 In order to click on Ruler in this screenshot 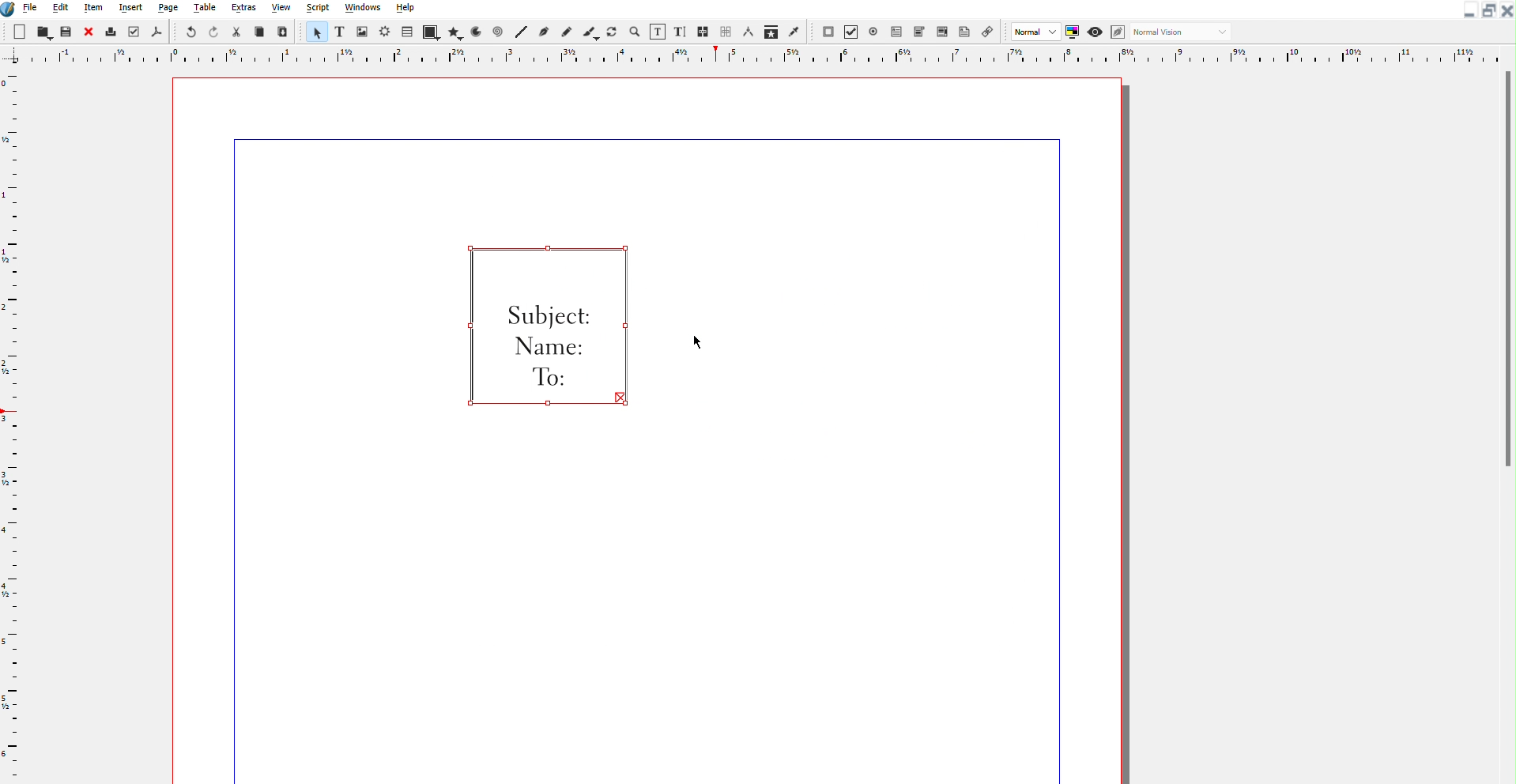, I will do `click(758, 56)`.